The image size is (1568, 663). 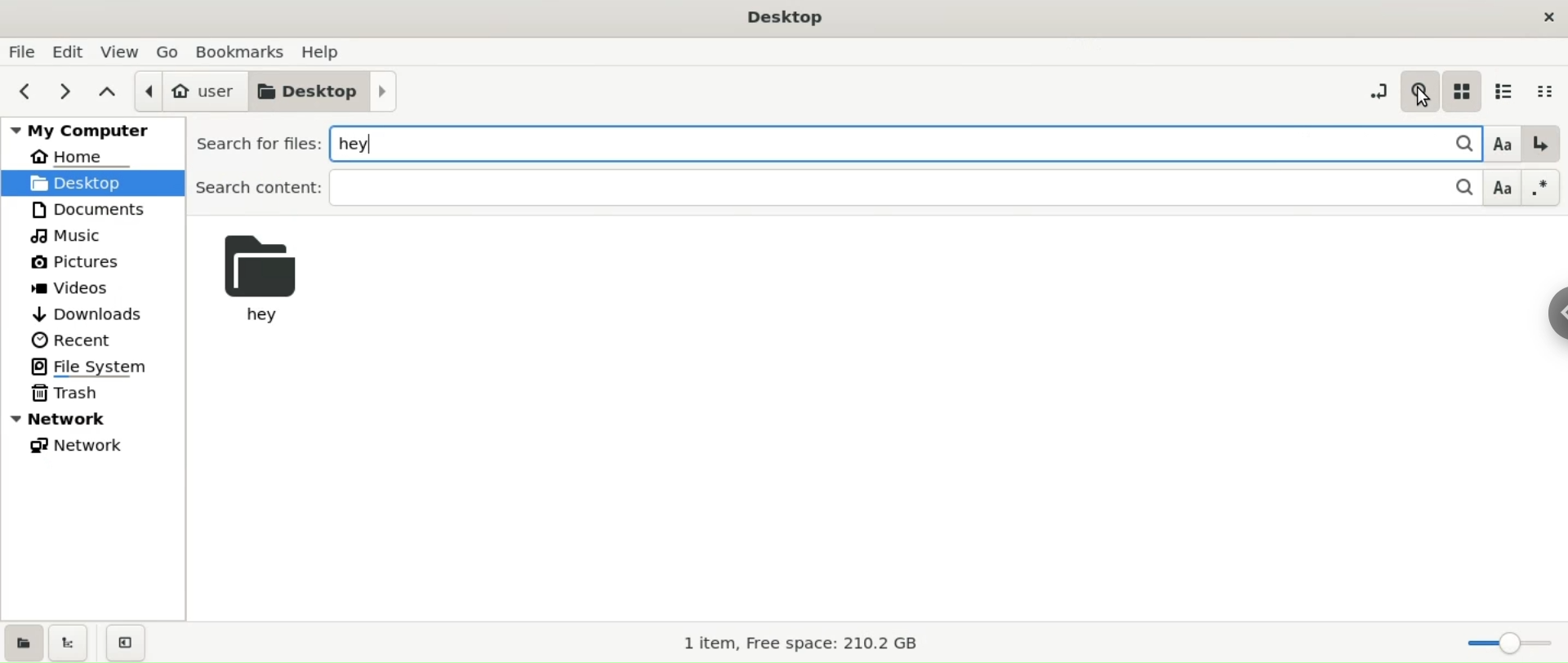 I want to click on show treeview, so click(x=70, y=642).